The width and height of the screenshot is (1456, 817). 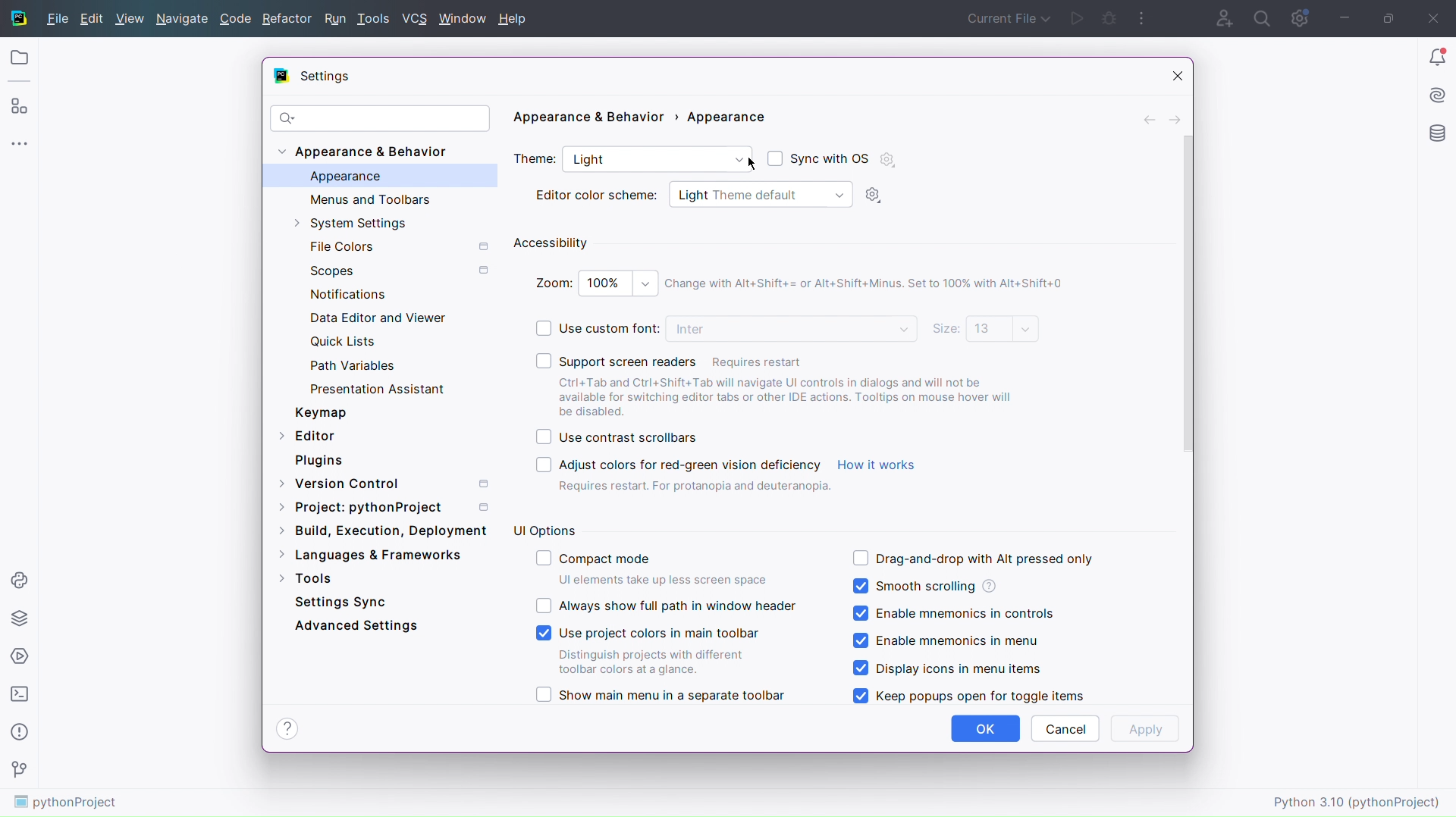 I want to click on Enable mnemonics in controls, so click(x=952, y=615).